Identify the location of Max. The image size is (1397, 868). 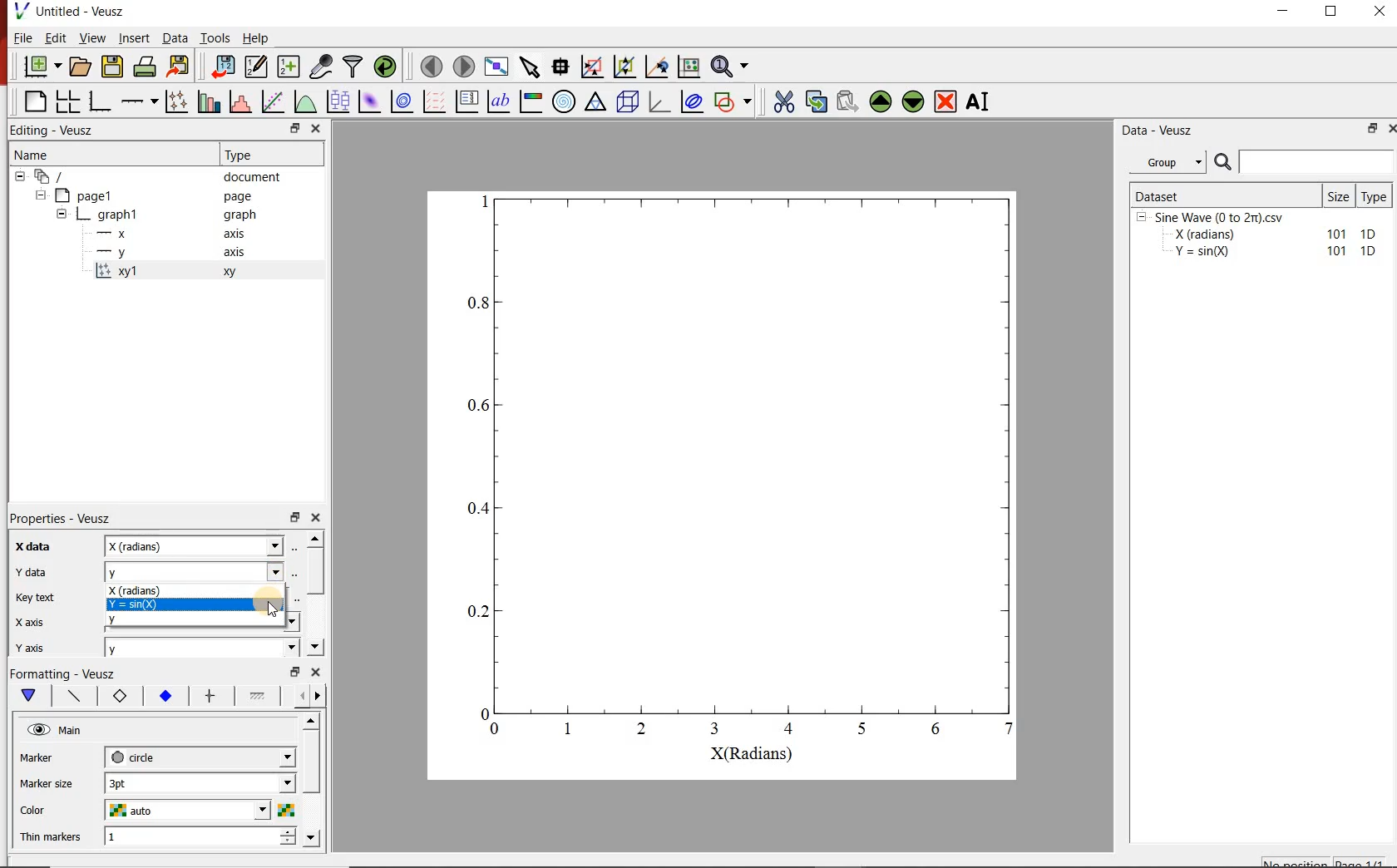
(37, 595).